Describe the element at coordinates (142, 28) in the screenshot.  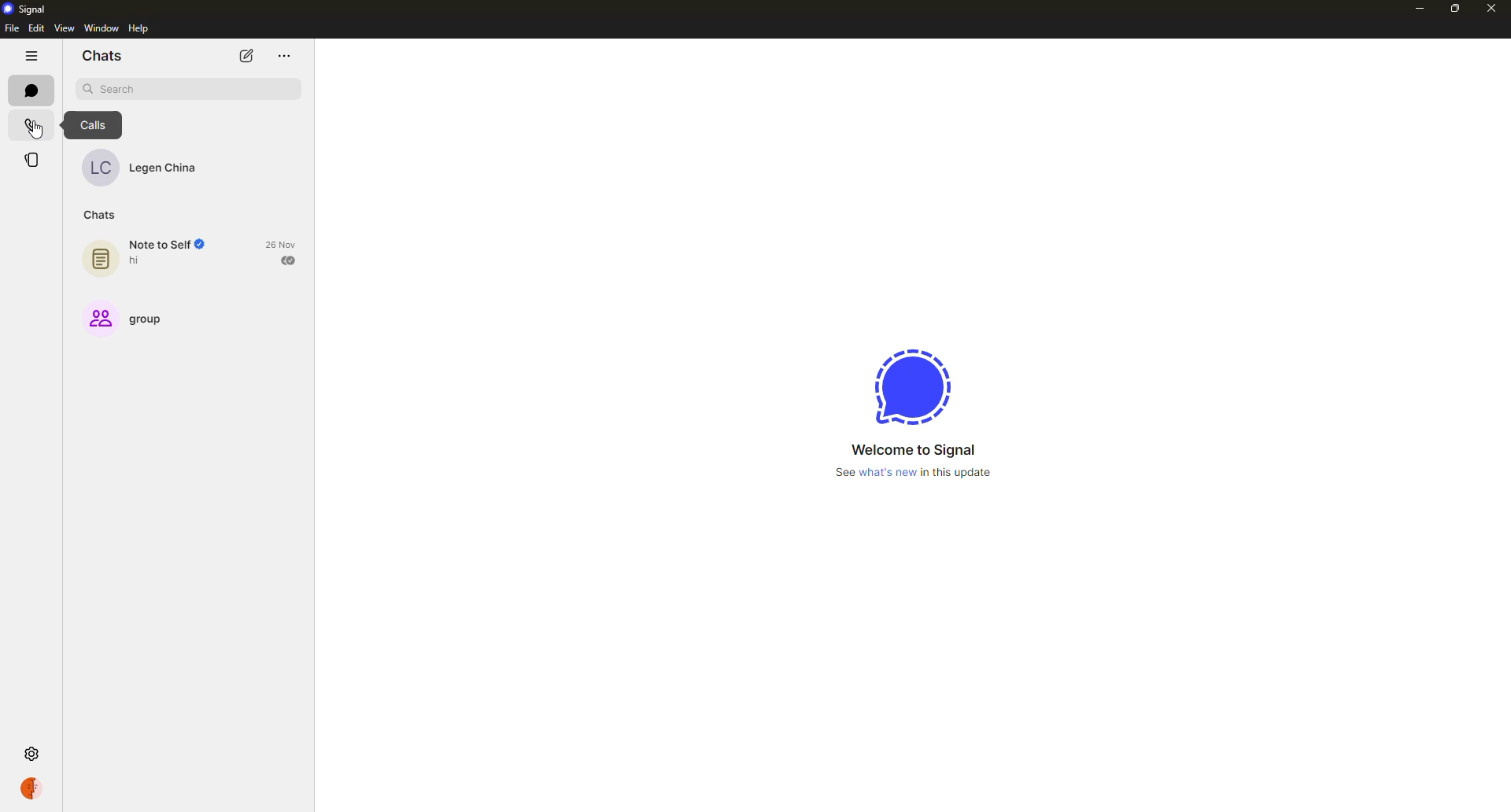
I see `help` at that location.